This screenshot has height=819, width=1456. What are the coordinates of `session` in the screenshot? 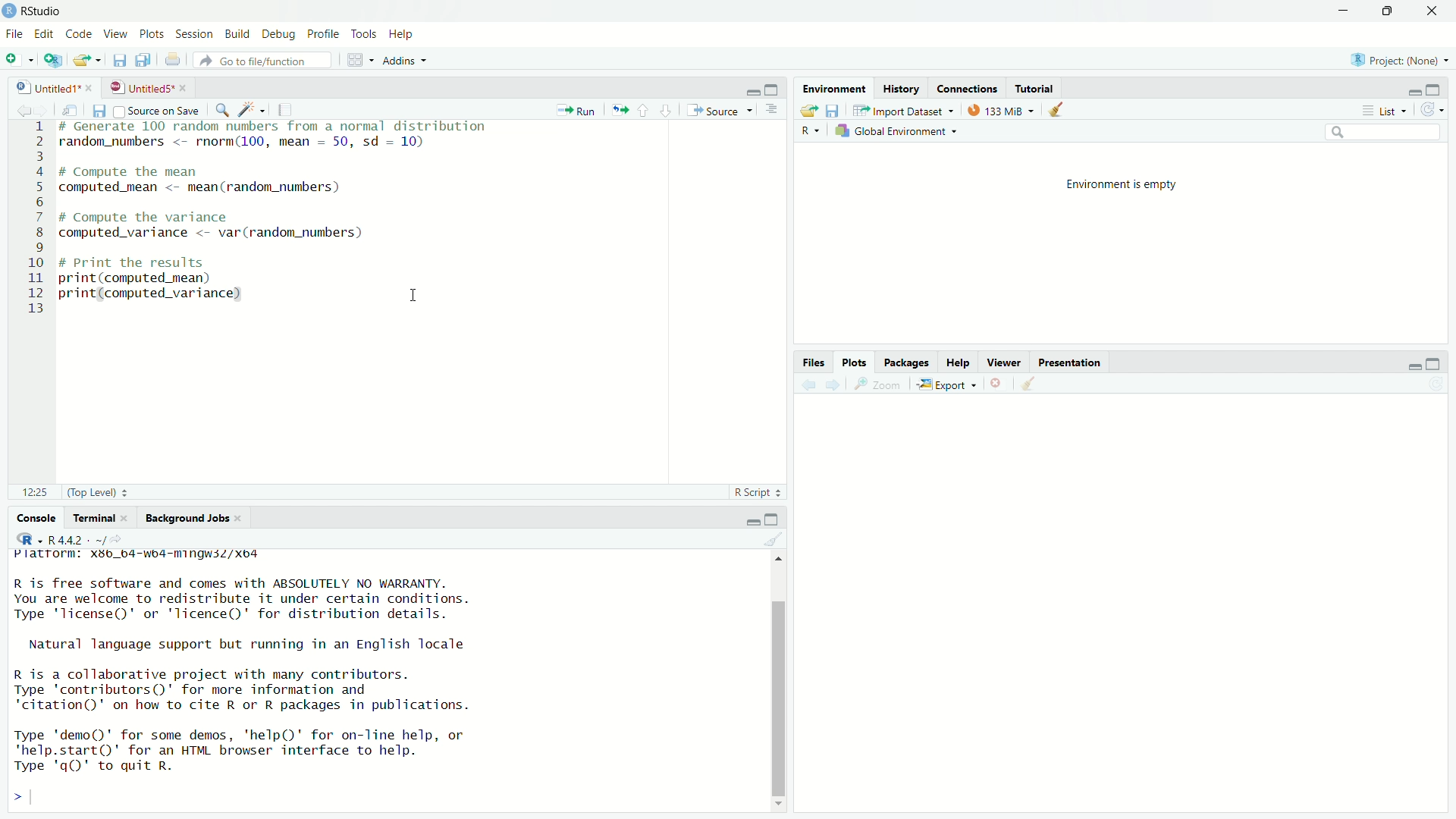 It's located at (196, 35).